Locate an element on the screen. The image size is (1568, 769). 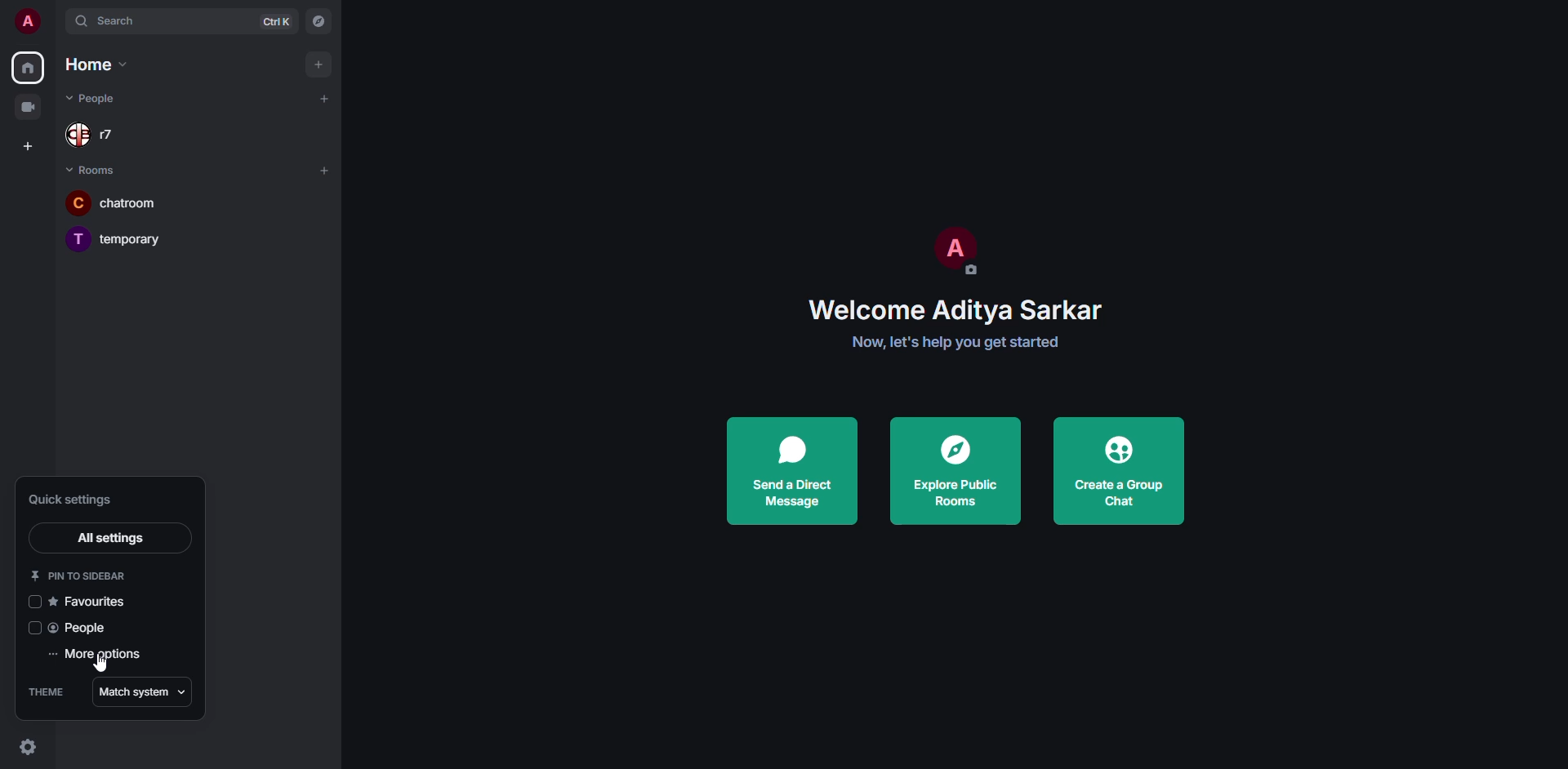
all settings is located at coordinates (105, 537).